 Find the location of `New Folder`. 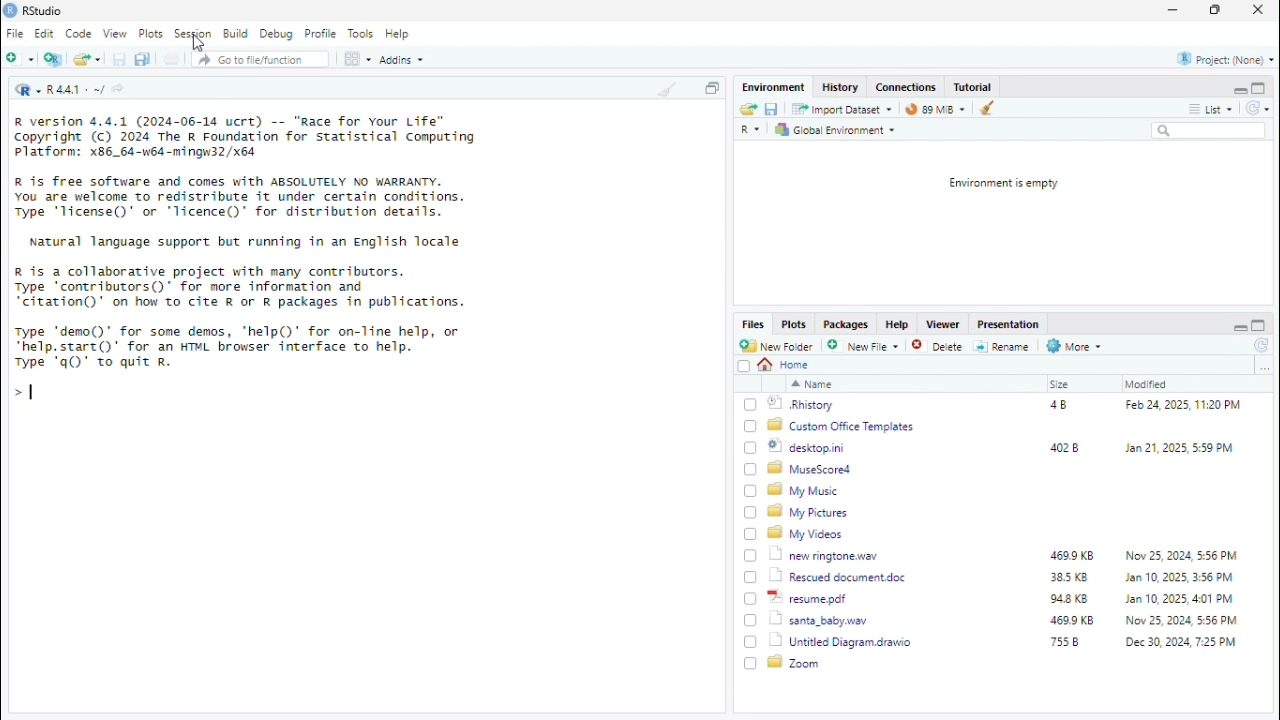

New Folder is located at coordinates (778, 346).